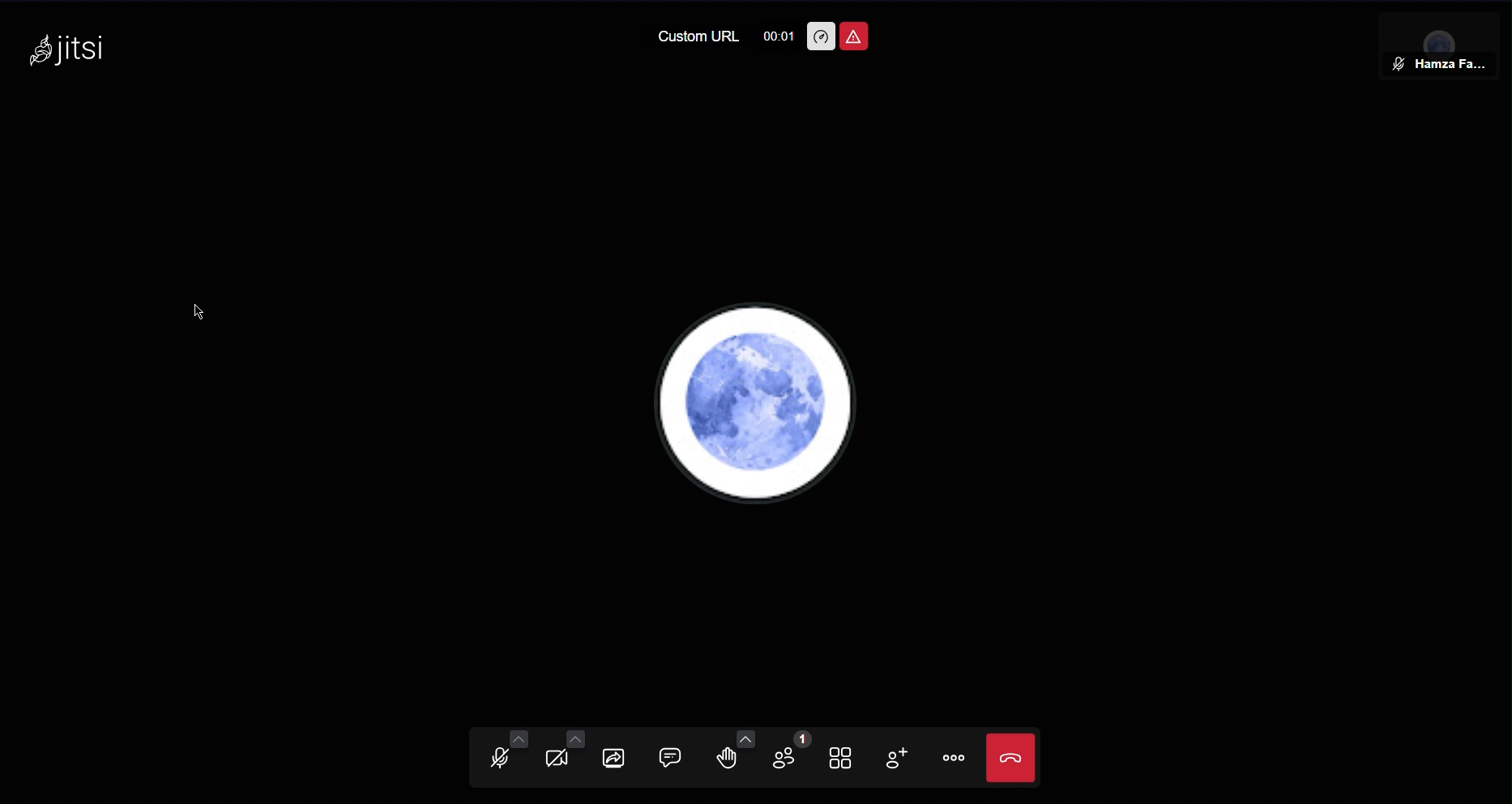 The image size is (1512, 804). I want to click on Share Screen, so click(618, 759).